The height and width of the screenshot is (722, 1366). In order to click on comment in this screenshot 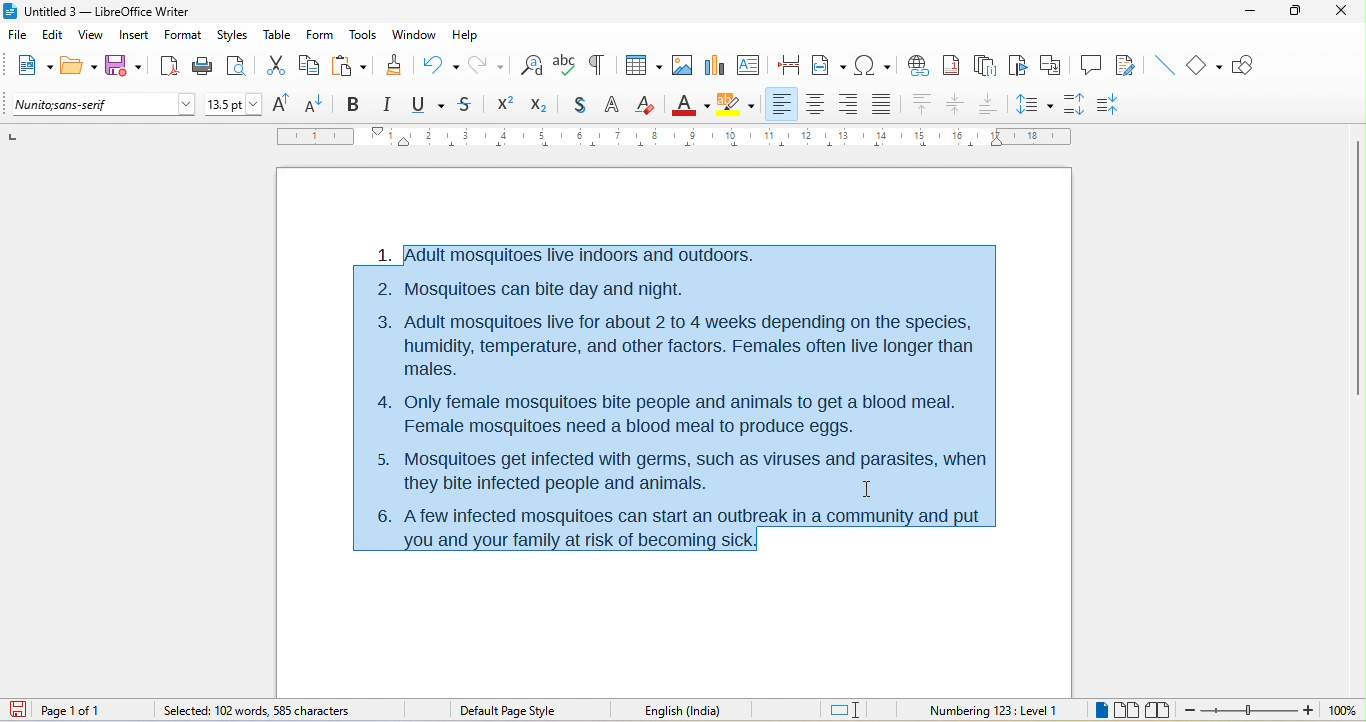, I will do `click(1091, 66)`.